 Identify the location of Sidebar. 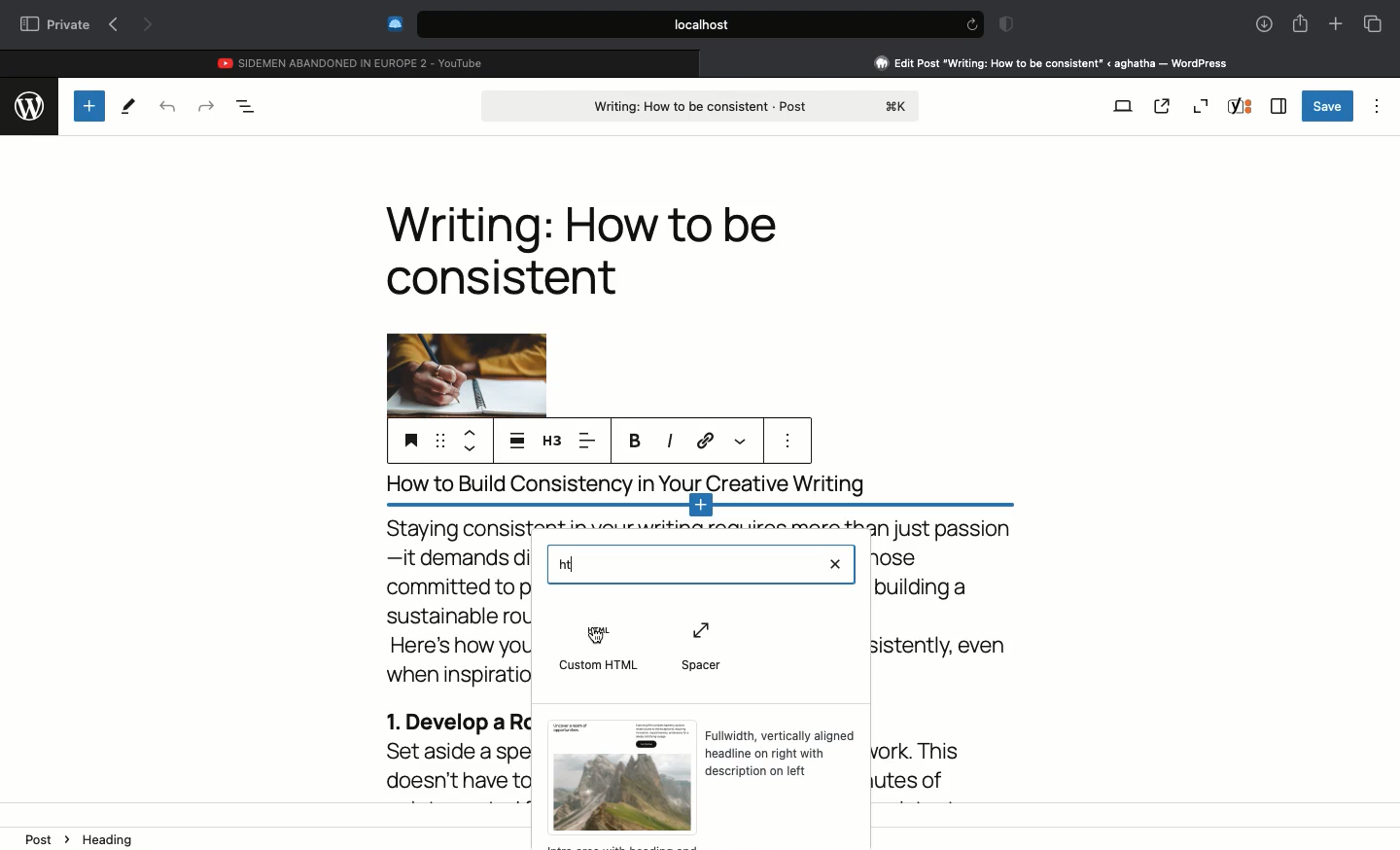
(1278, 106).